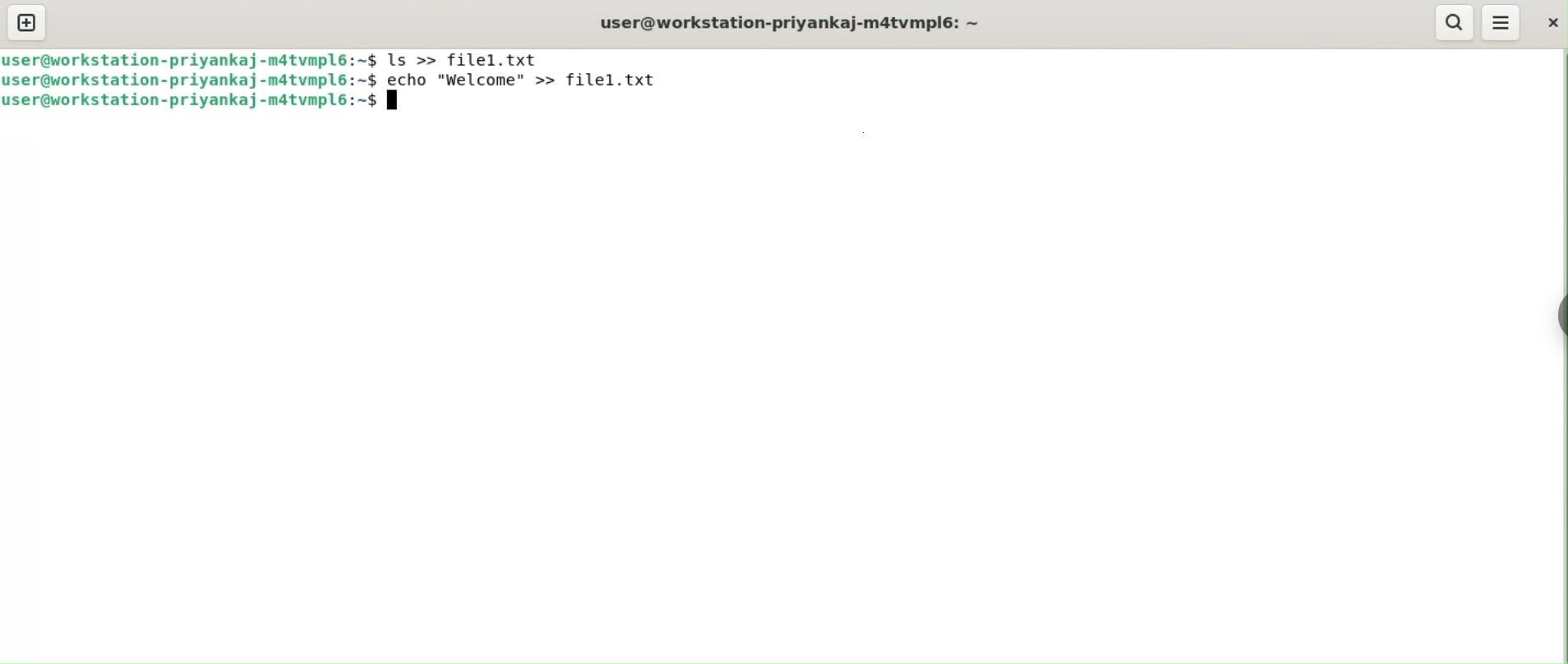 The height and width of the screenshot is (664, 1568). Describe the element at coordinates (27, 22) in the screenshot. I see `new tab` at that location.